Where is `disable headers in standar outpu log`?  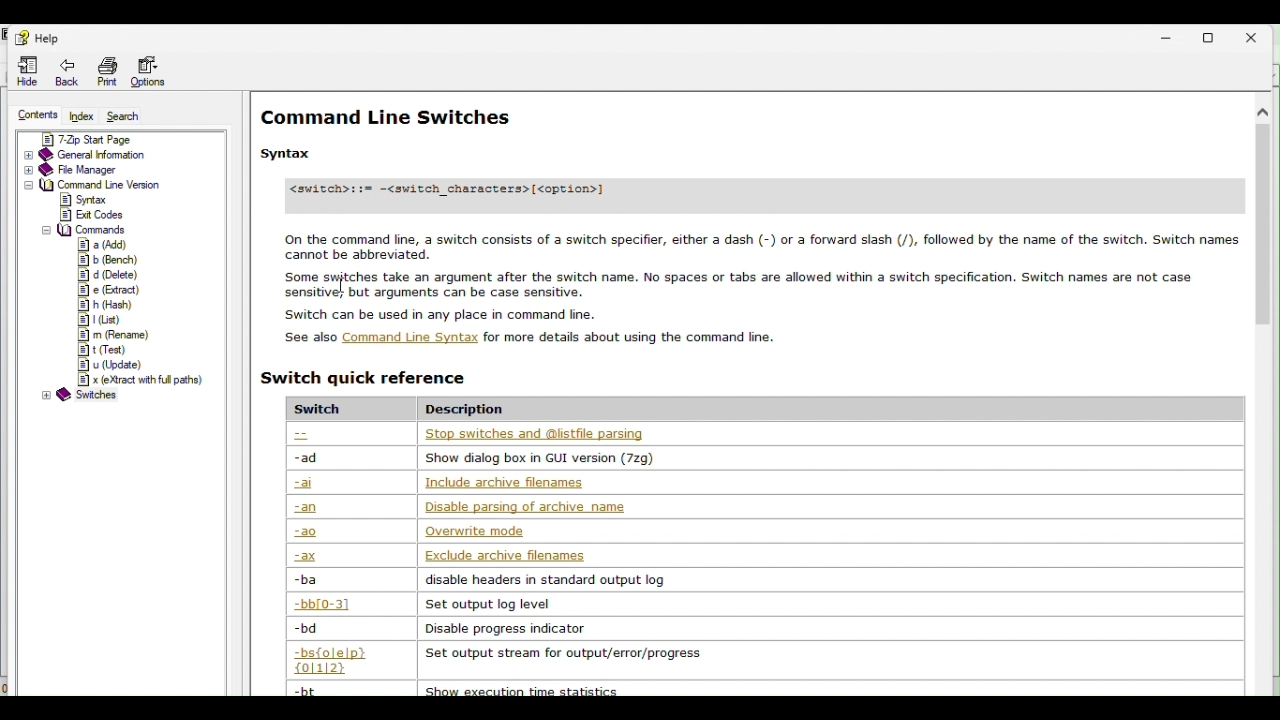
disable headers in standar outpu log is located at coordinates (546, 580).